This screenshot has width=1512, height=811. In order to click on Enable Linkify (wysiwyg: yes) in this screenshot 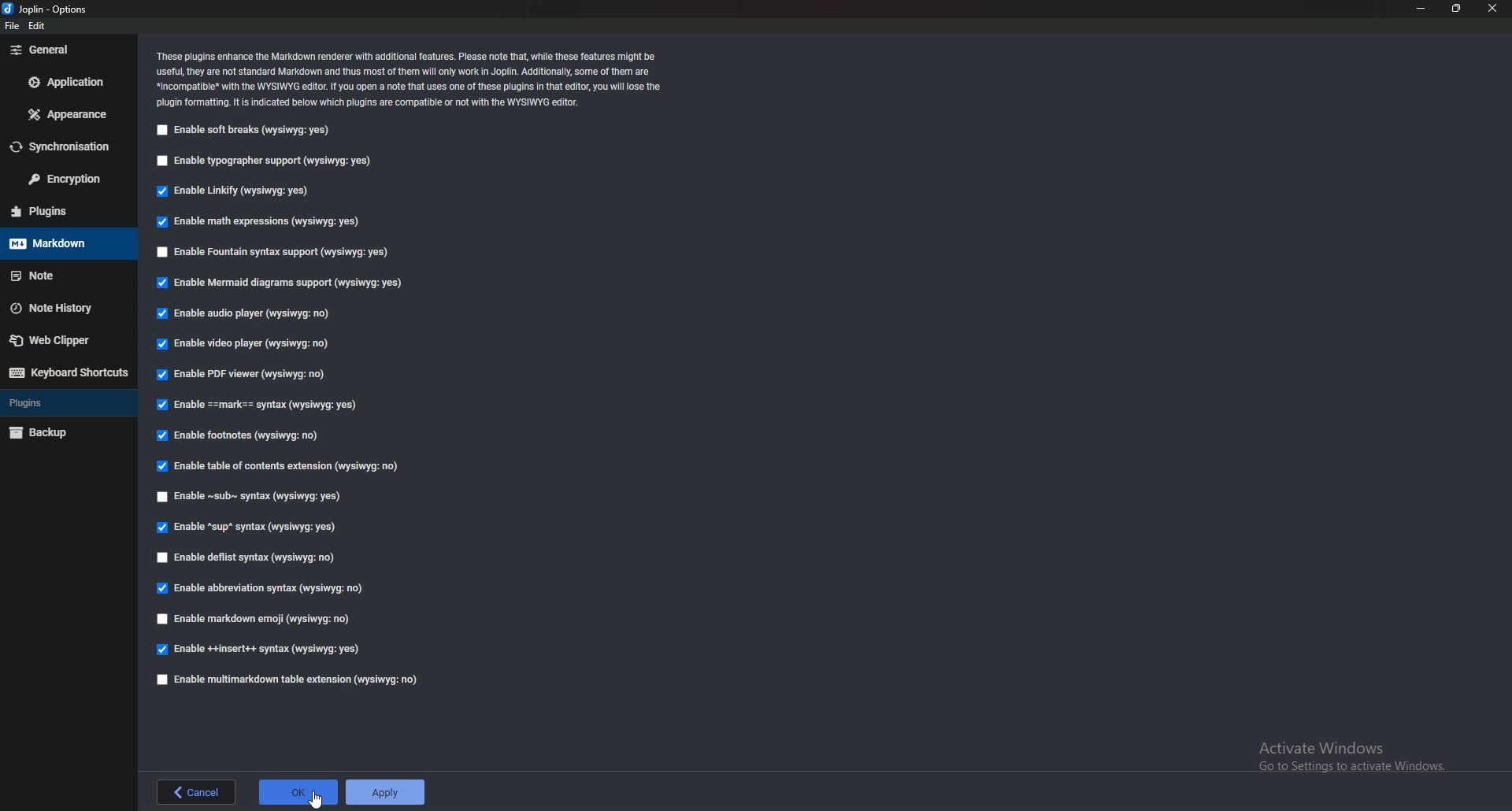, I will do `click(239, 191)`.